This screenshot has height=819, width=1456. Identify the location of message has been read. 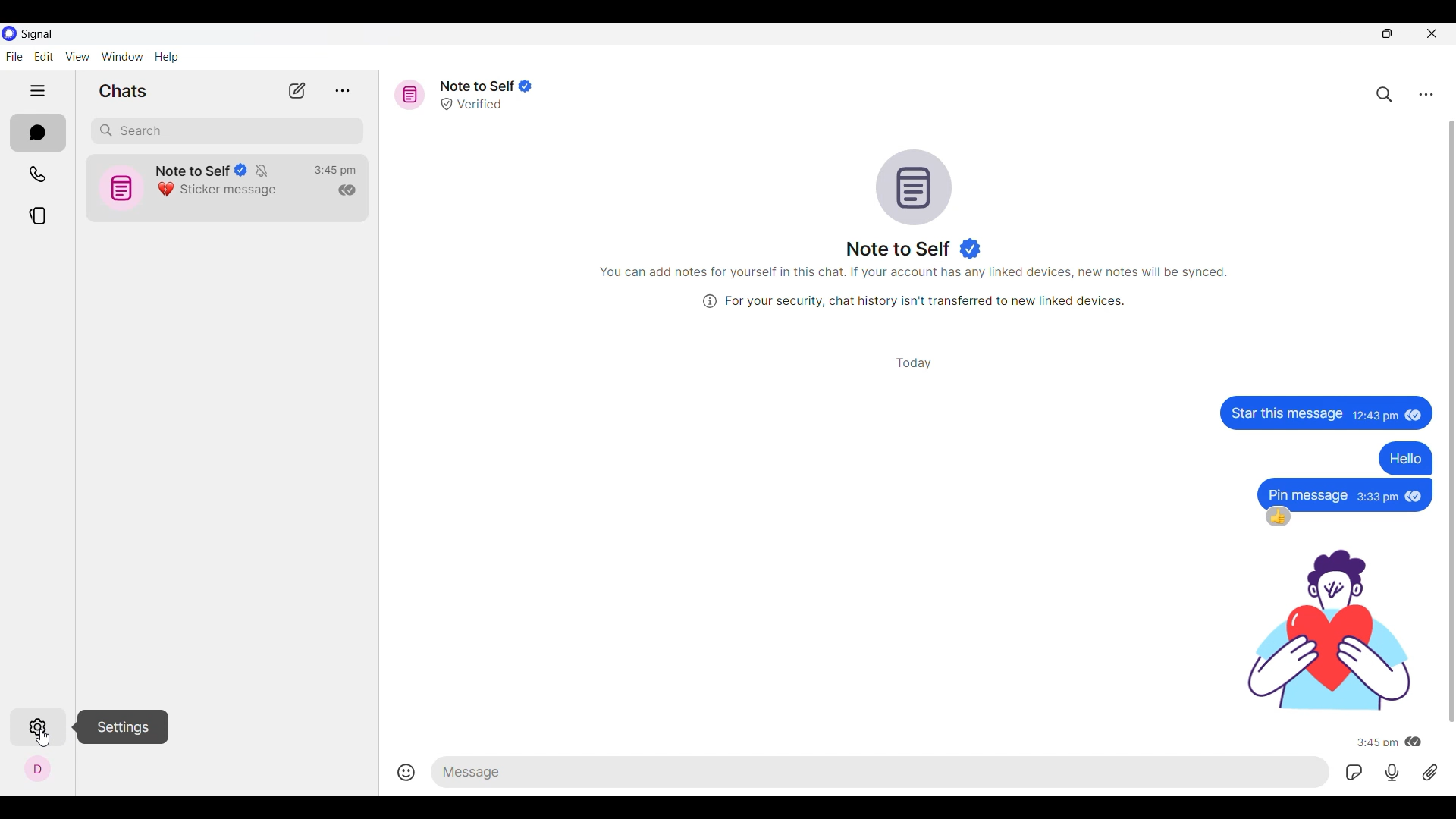
(1417, 497).